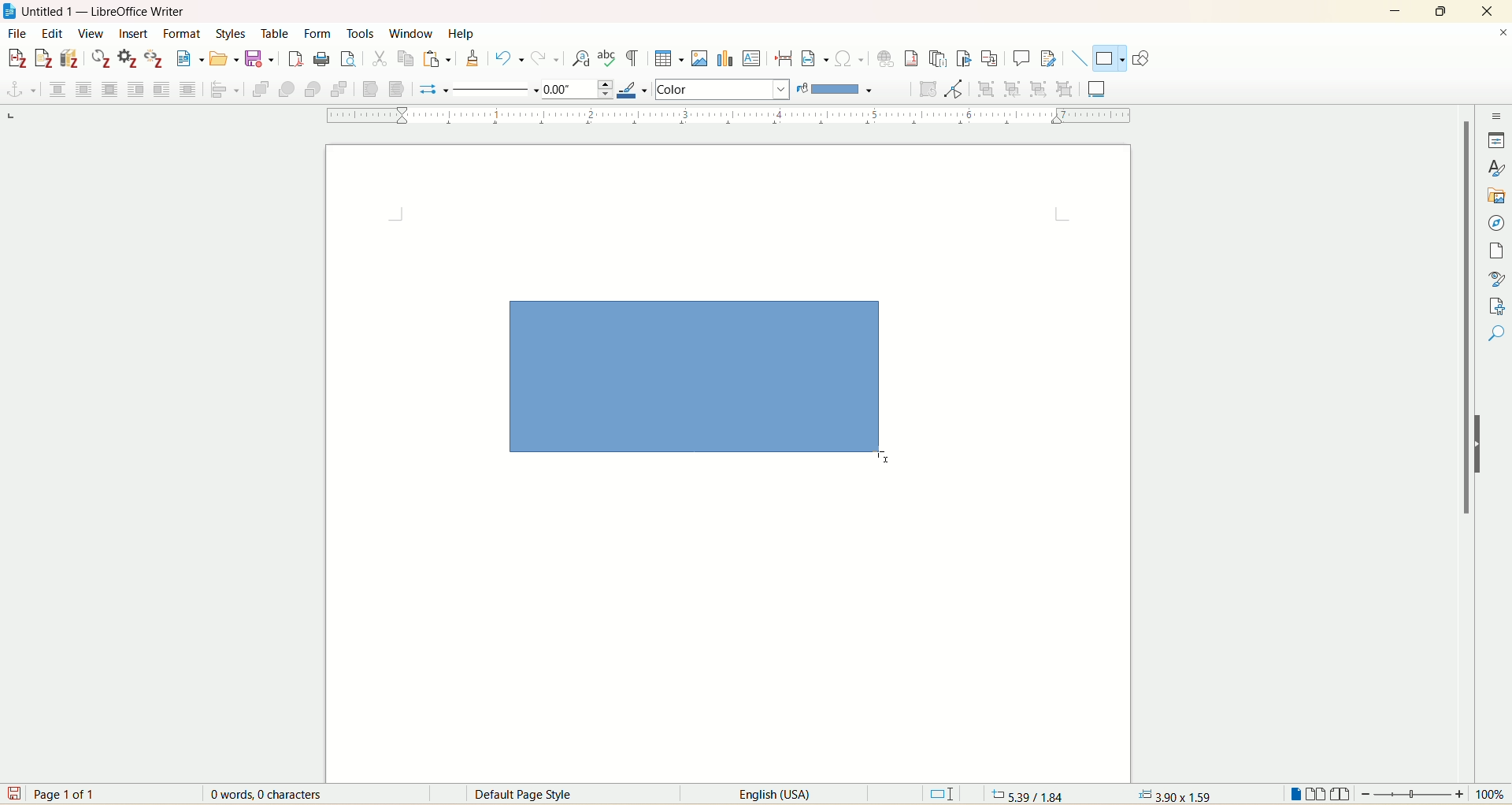 The width and height of the screenshot is (1512, 805). I want to click on new, so click(190, 58).